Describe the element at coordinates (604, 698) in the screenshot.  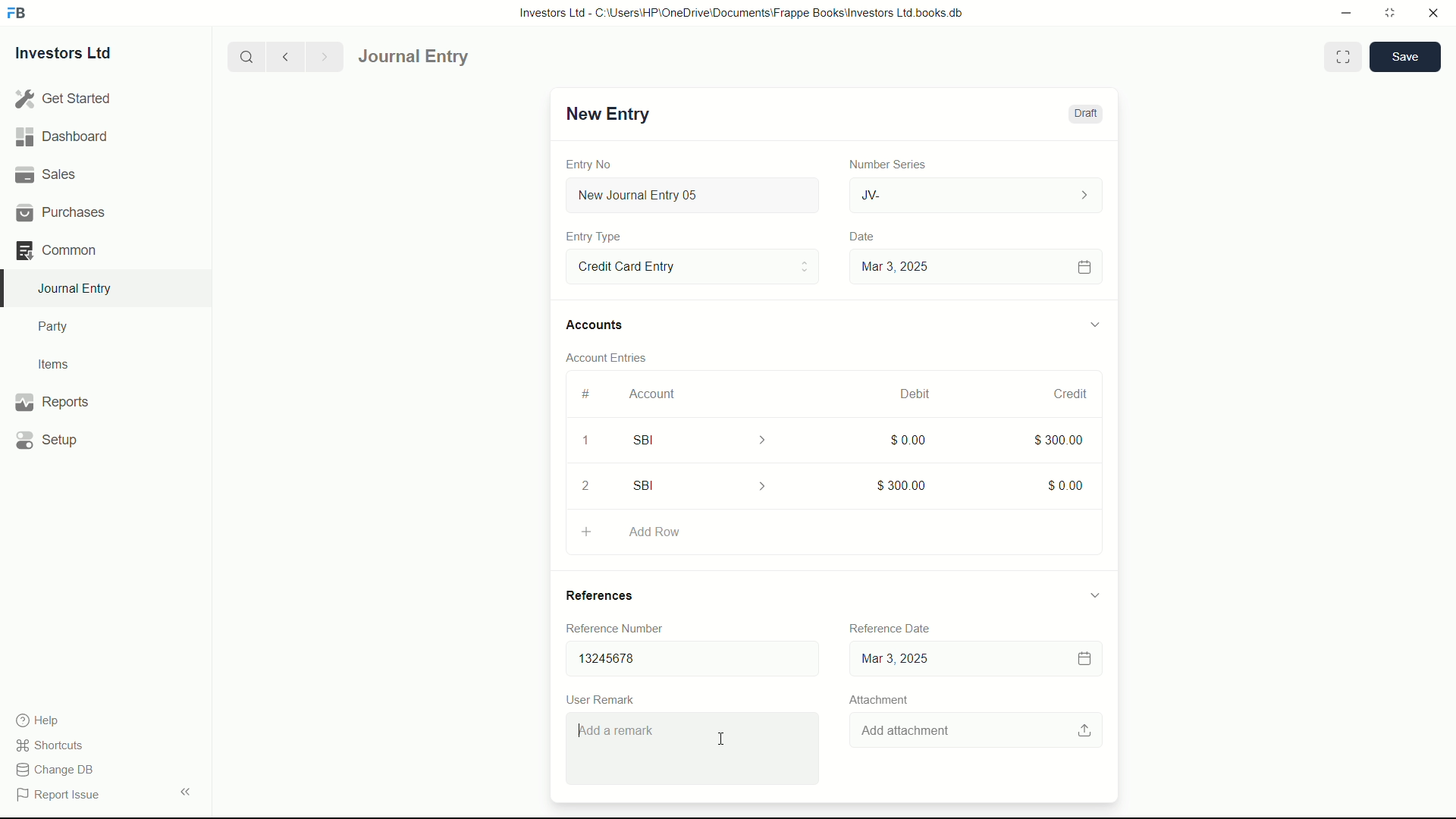
I see `User Remark` at that location.